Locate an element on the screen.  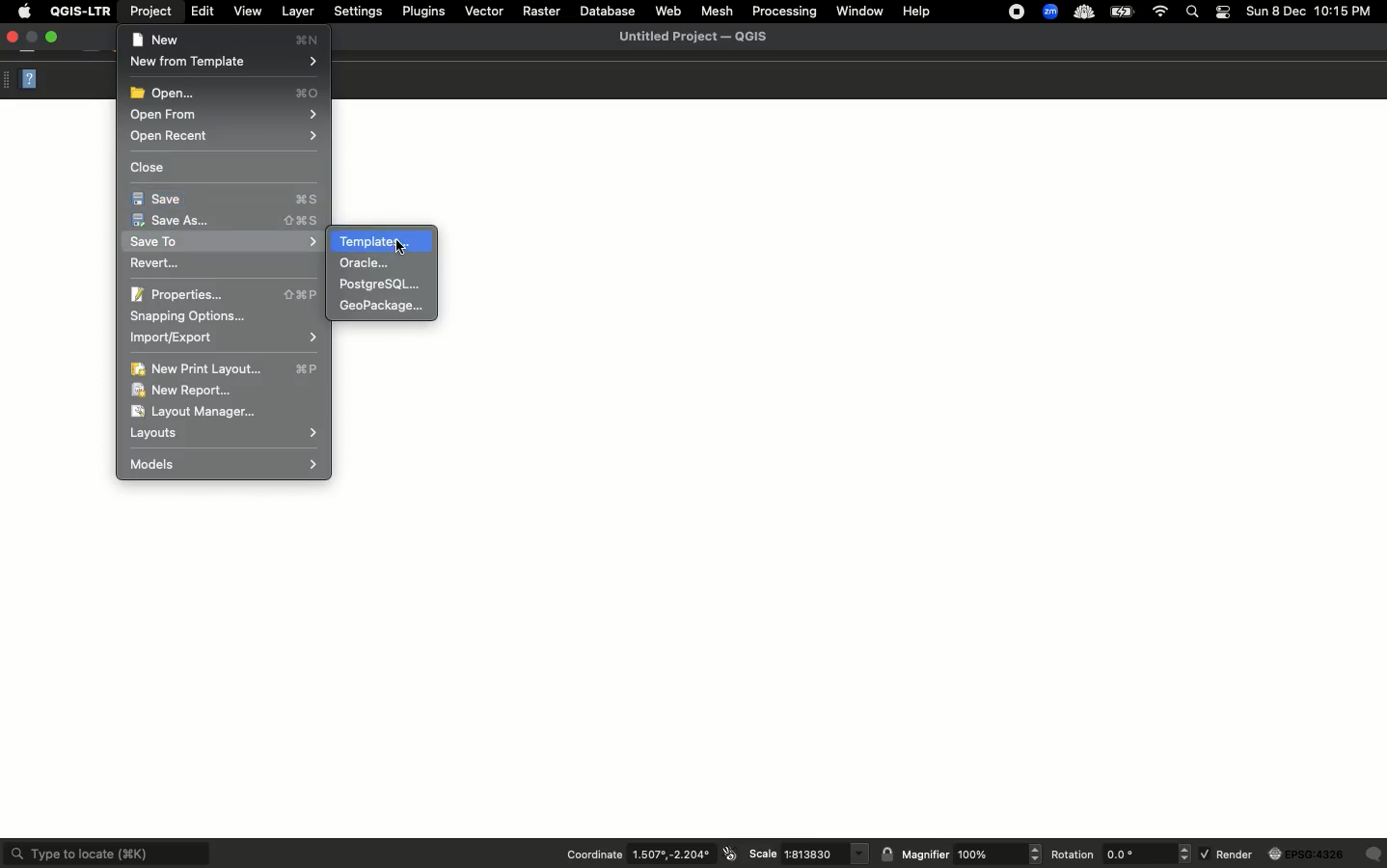
GeoPackage is located at coordinates (386, 308).